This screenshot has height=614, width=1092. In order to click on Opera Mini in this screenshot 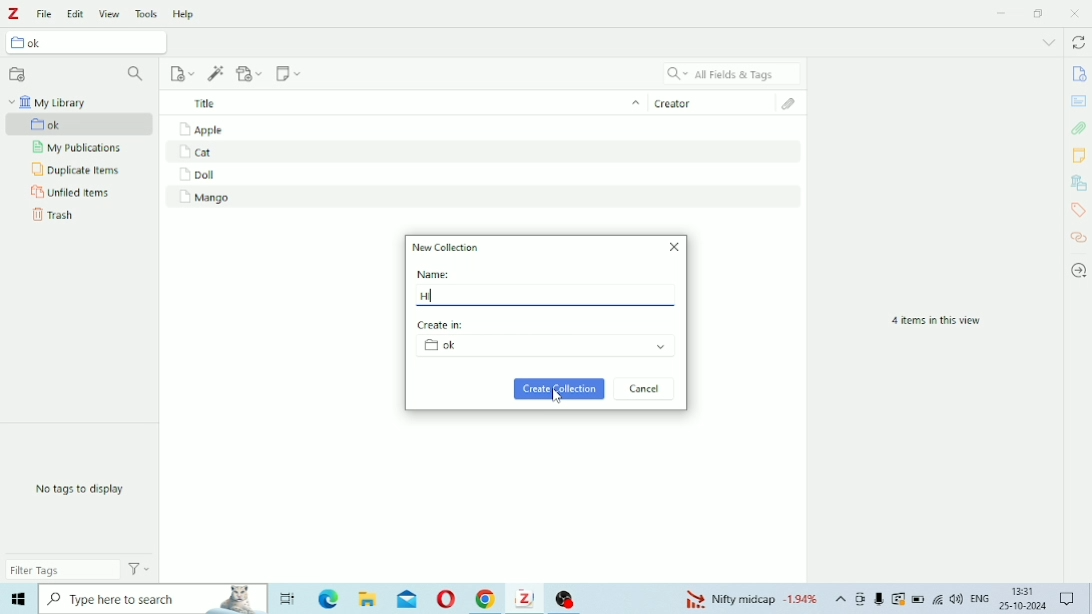, I will do `click(446, 599)`.